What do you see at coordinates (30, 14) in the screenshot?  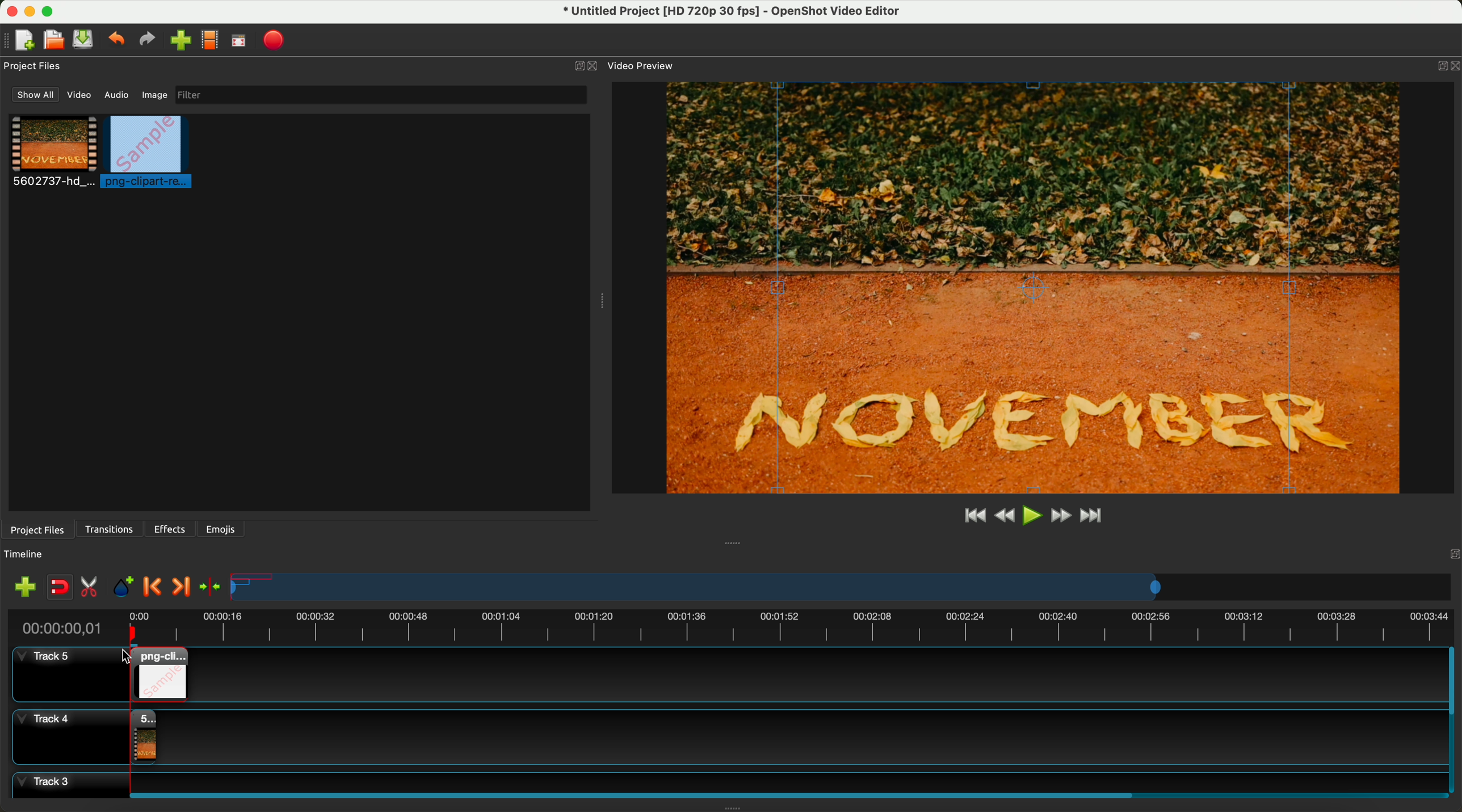 I see `minimize` at bounding box center [30, 14].